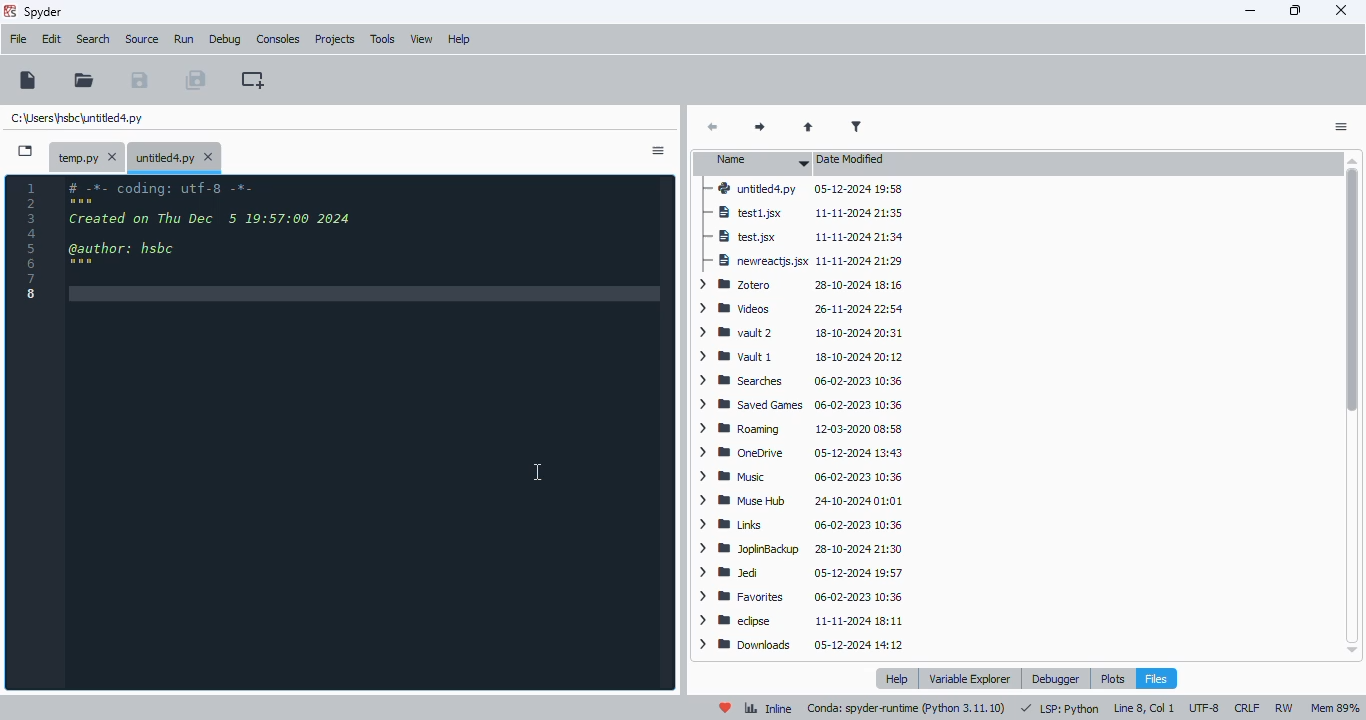 This screenshot has width=1366, height=720. What do you see at coordinates (1248, 708) in the screenshot?
I see `CRLF` at bounding box center [1248, 708].